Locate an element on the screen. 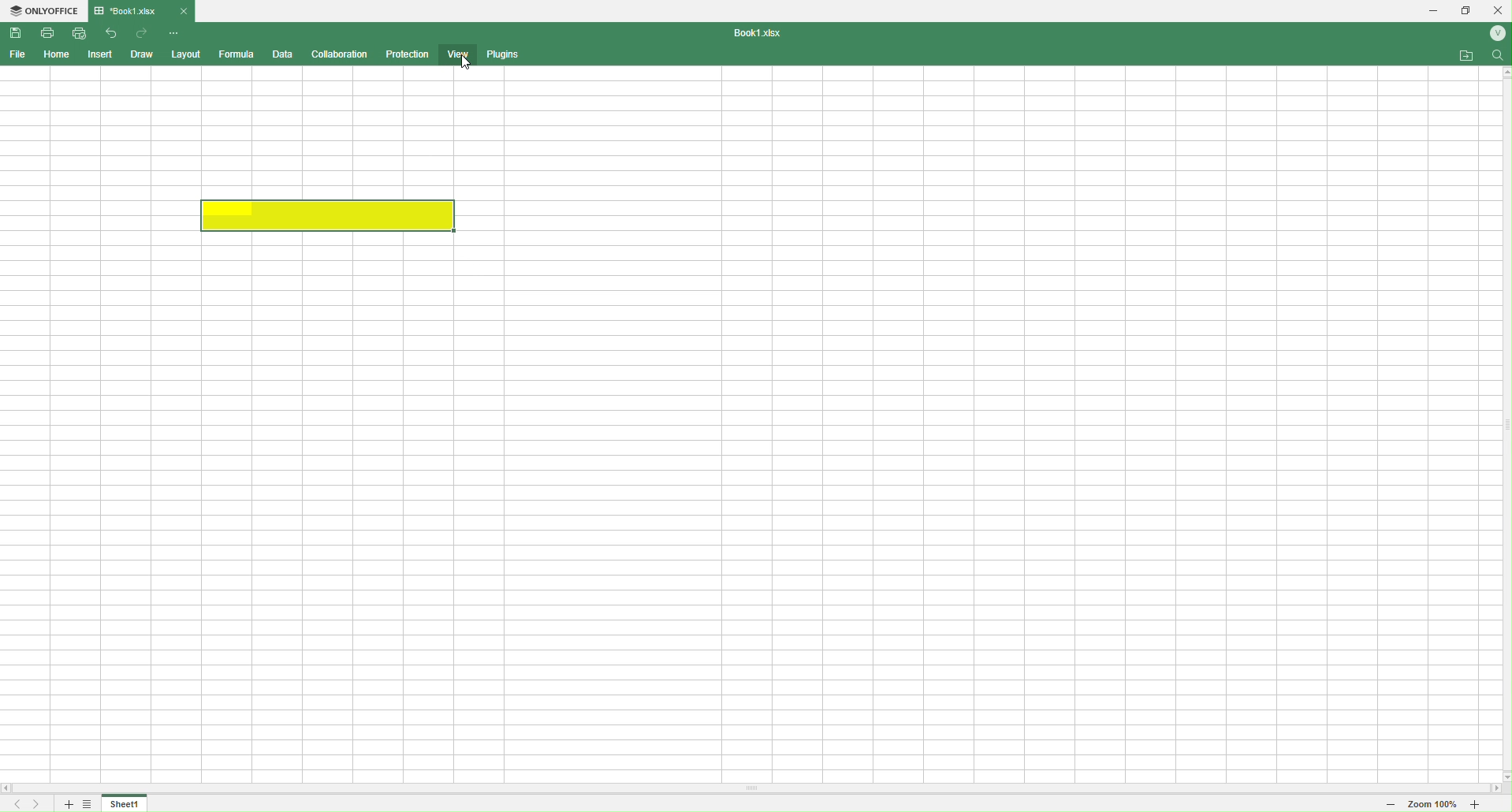 The width and height of the screenshot is (1512, 812). Cells is located at coordinates (743, 426).